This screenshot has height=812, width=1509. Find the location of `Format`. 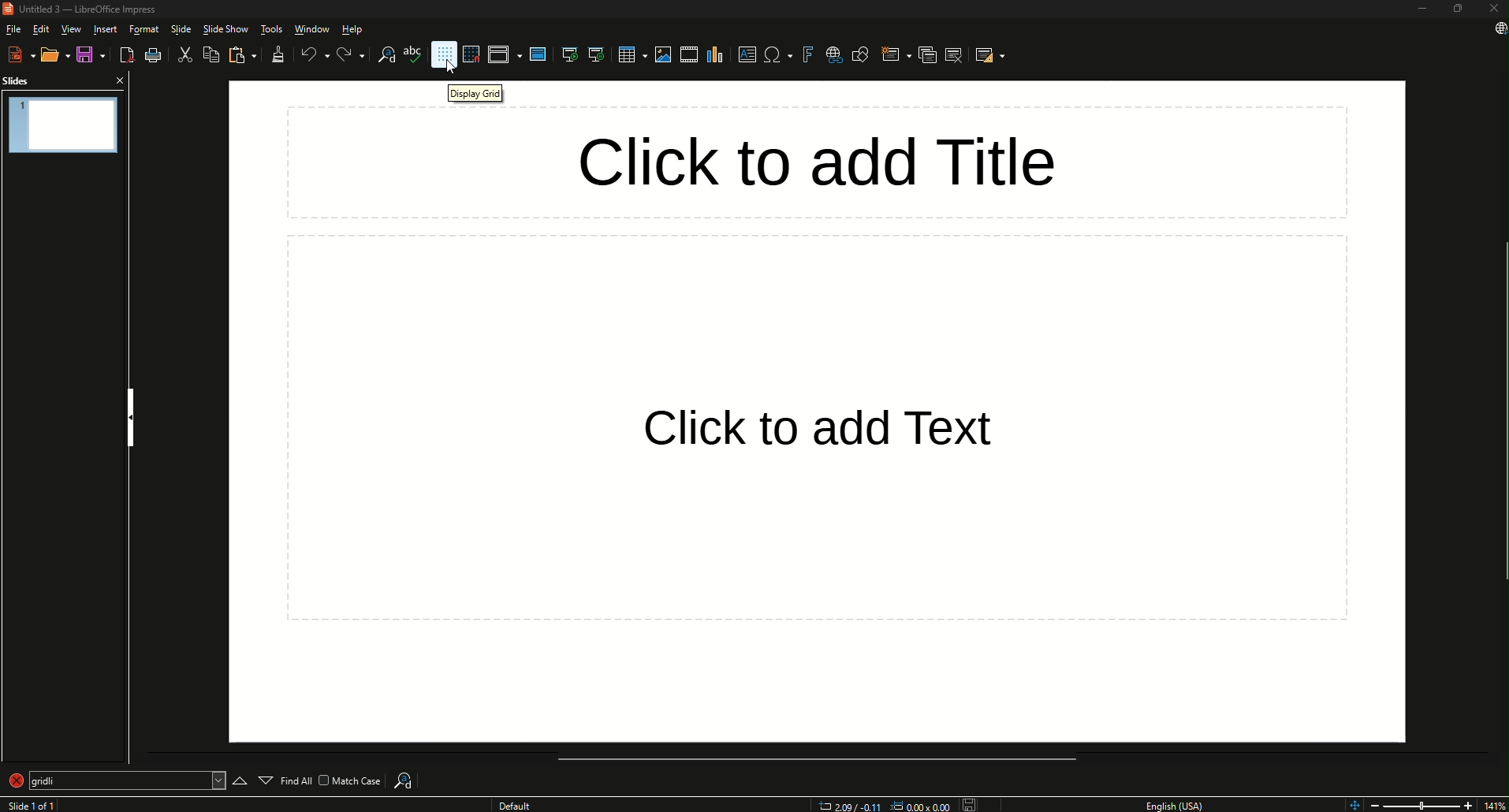

Format is located at coordinates (144, 28).